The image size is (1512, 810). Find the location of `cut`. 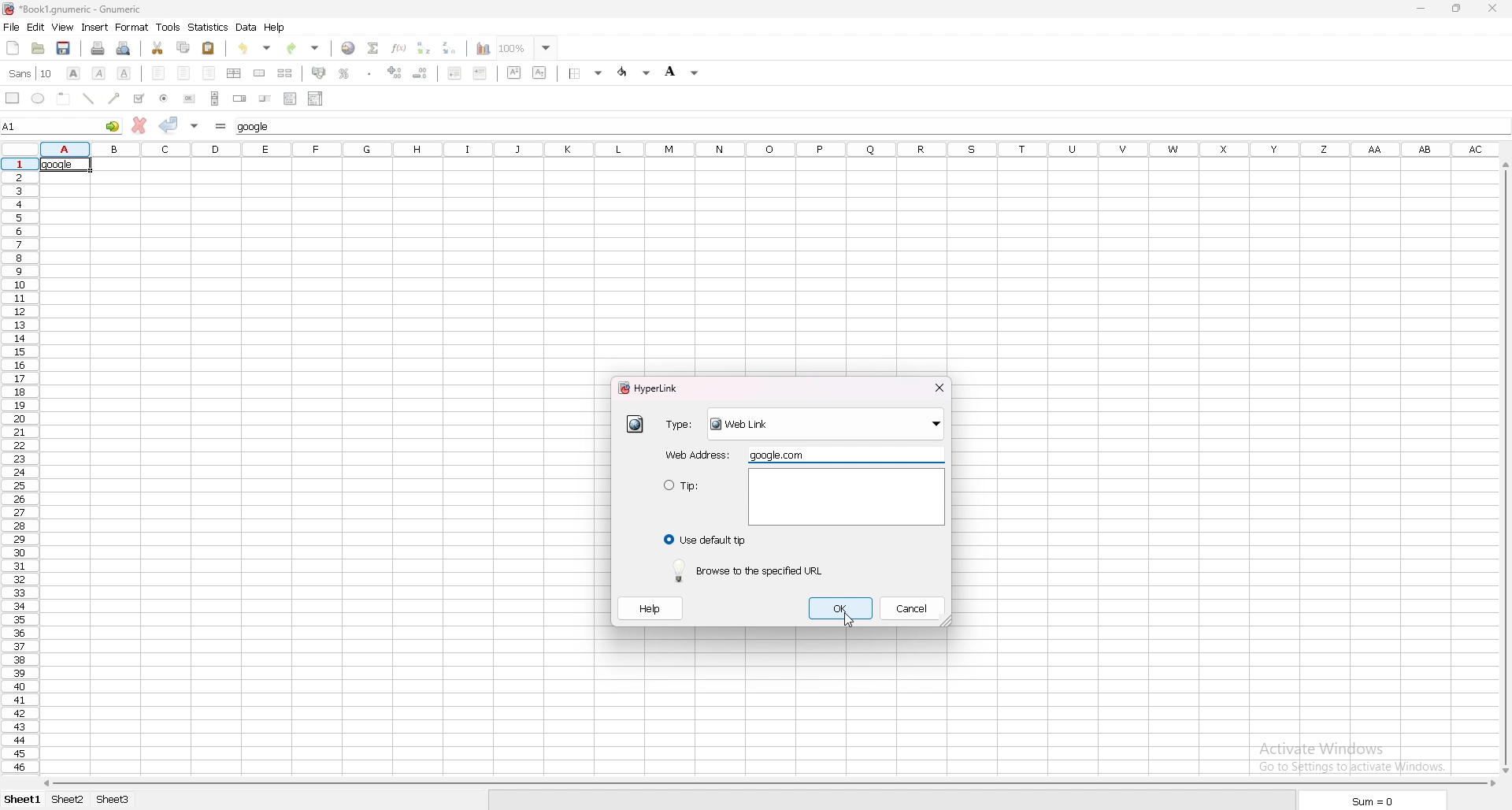

cut is located at coordinates (157, 48).